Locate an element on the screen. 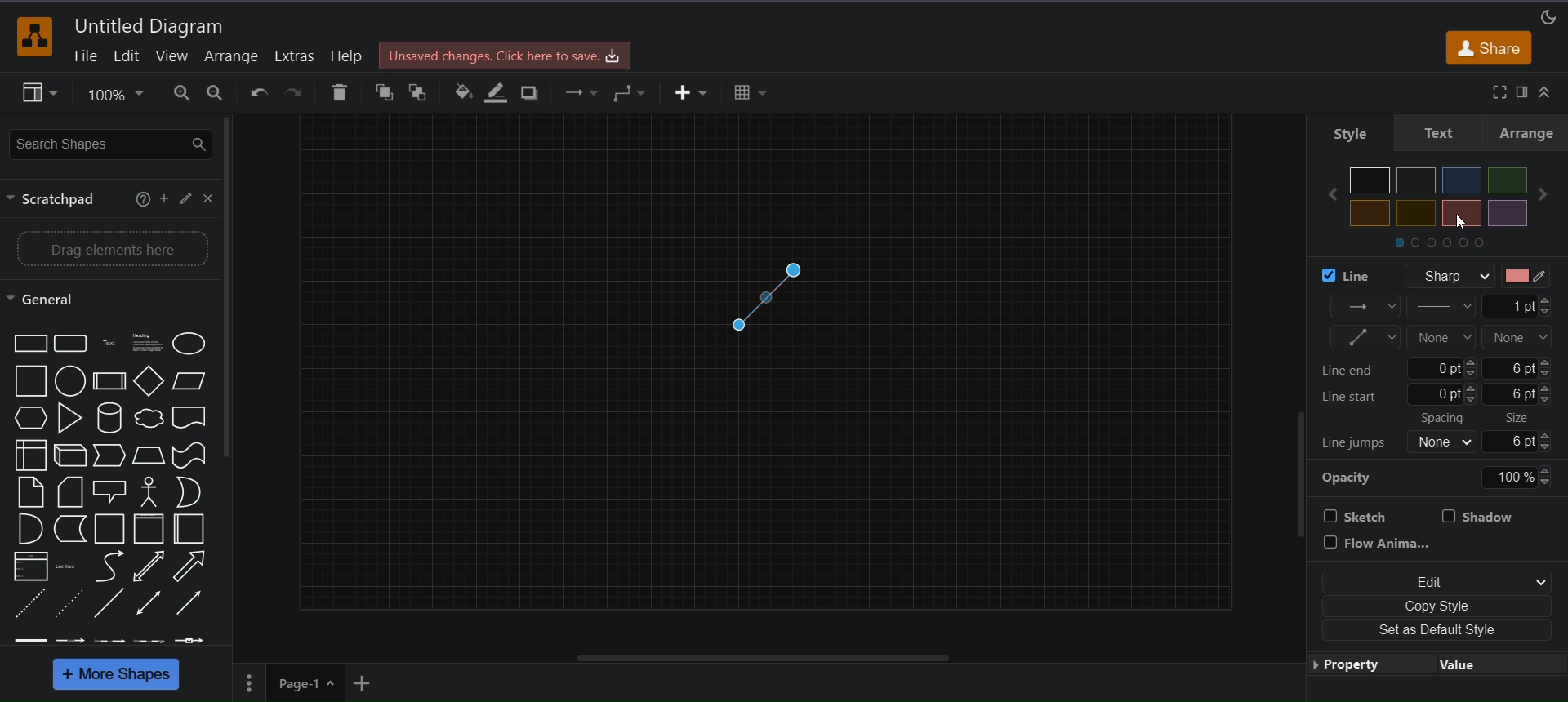  collapse/expand is located at coordinates (1547, 94).